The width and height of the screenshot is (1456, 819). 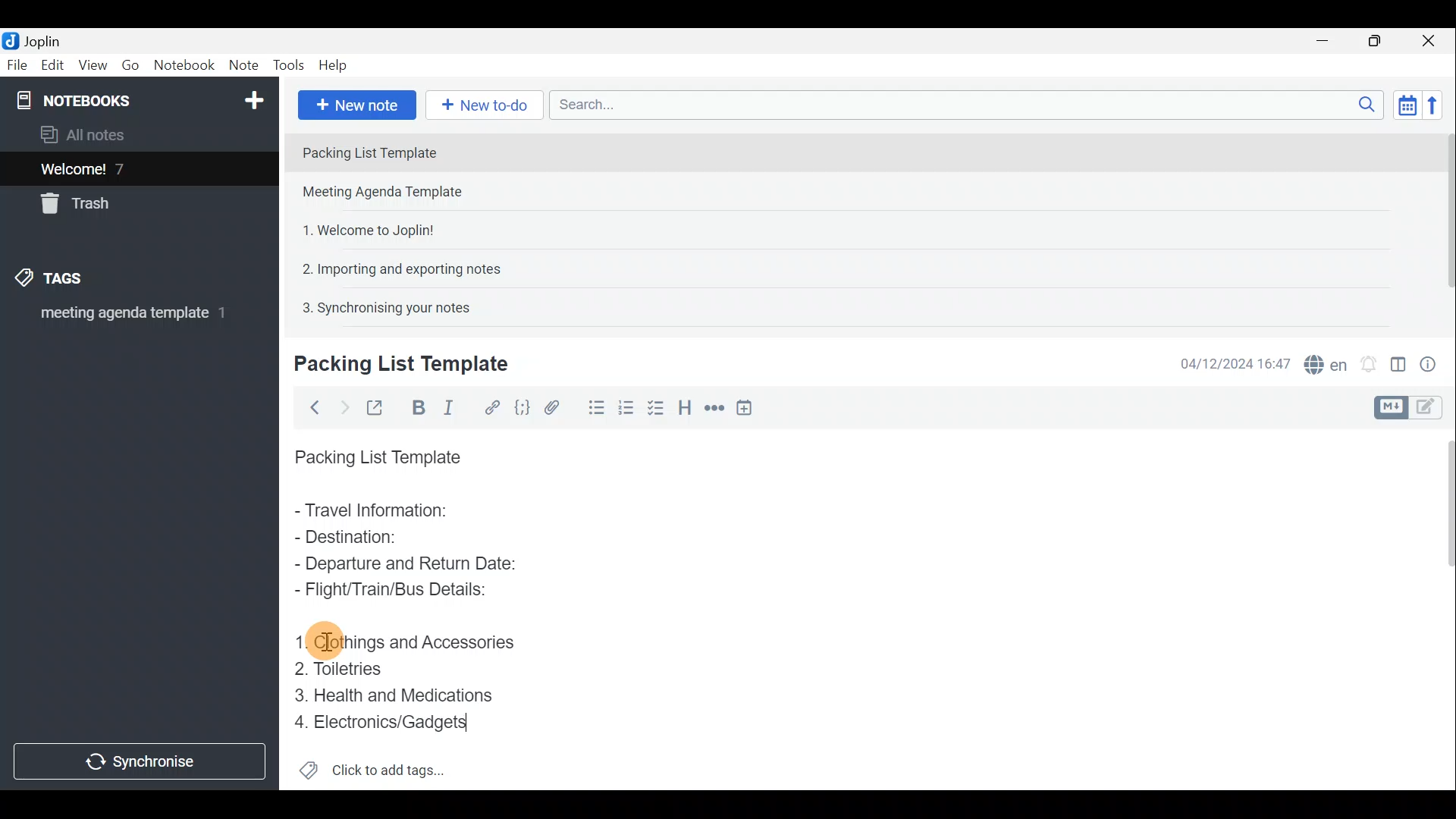 What do you see at coordinates (394, 266) in the screenshot?
I see `Note 4` at bounding box center [394, 266].